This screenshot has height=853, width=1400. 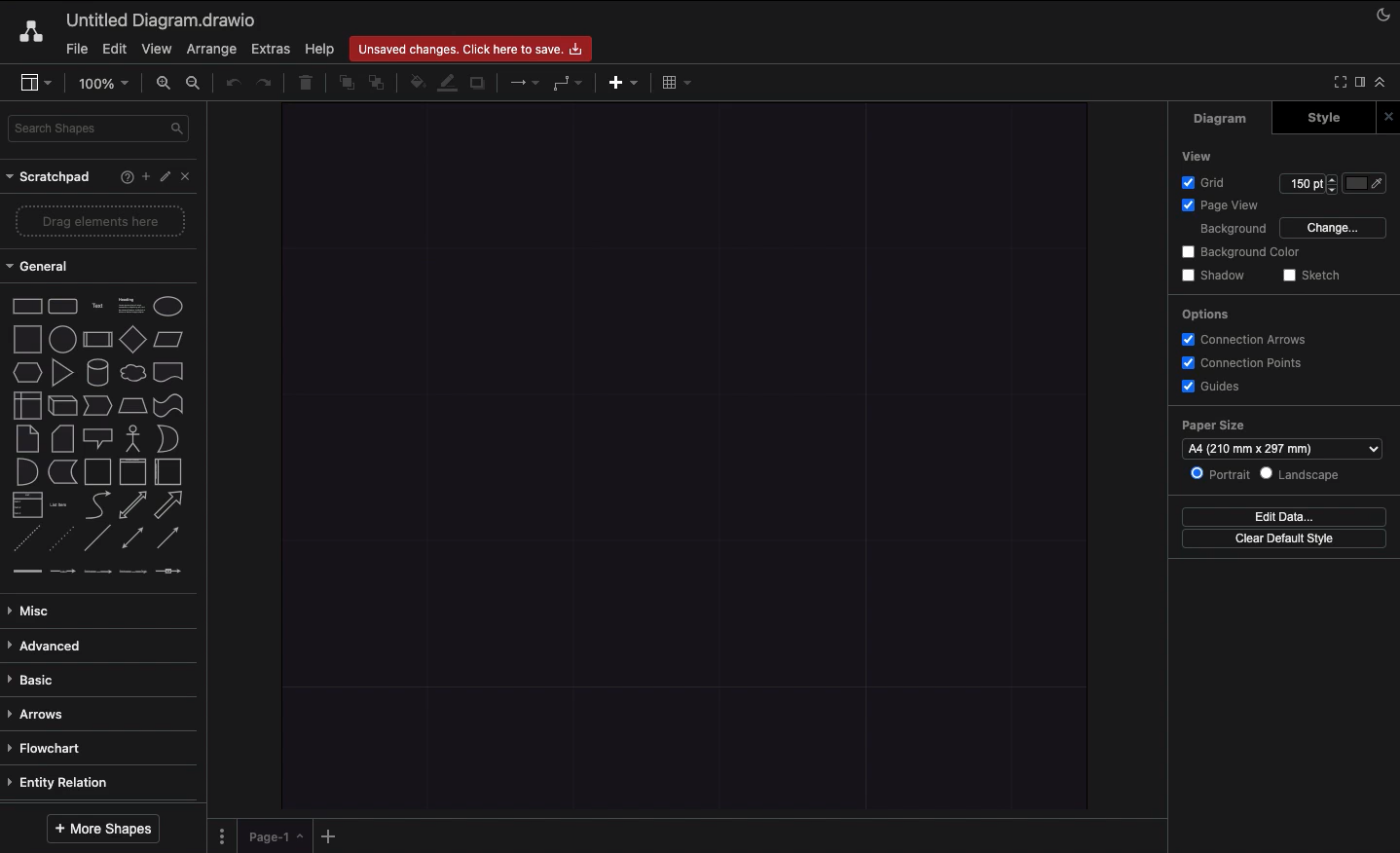 What do you see at coordinates (306, 85) in the screenshot?
I see `Trash` at bounding box center [306, 85].